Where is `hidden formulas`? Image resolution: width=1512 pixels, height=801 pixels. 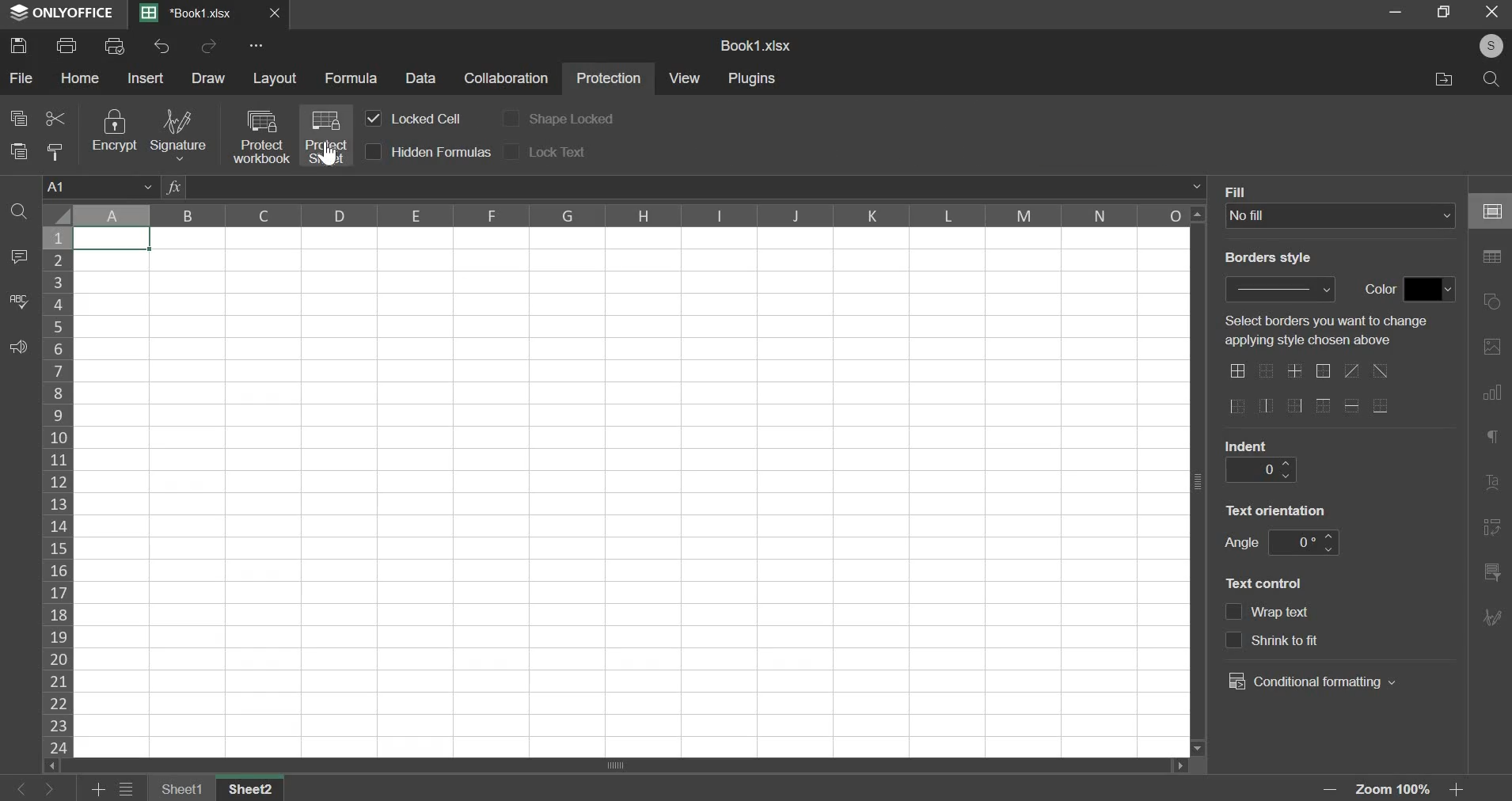
hidden formulas is located at coordinates (442, 152).